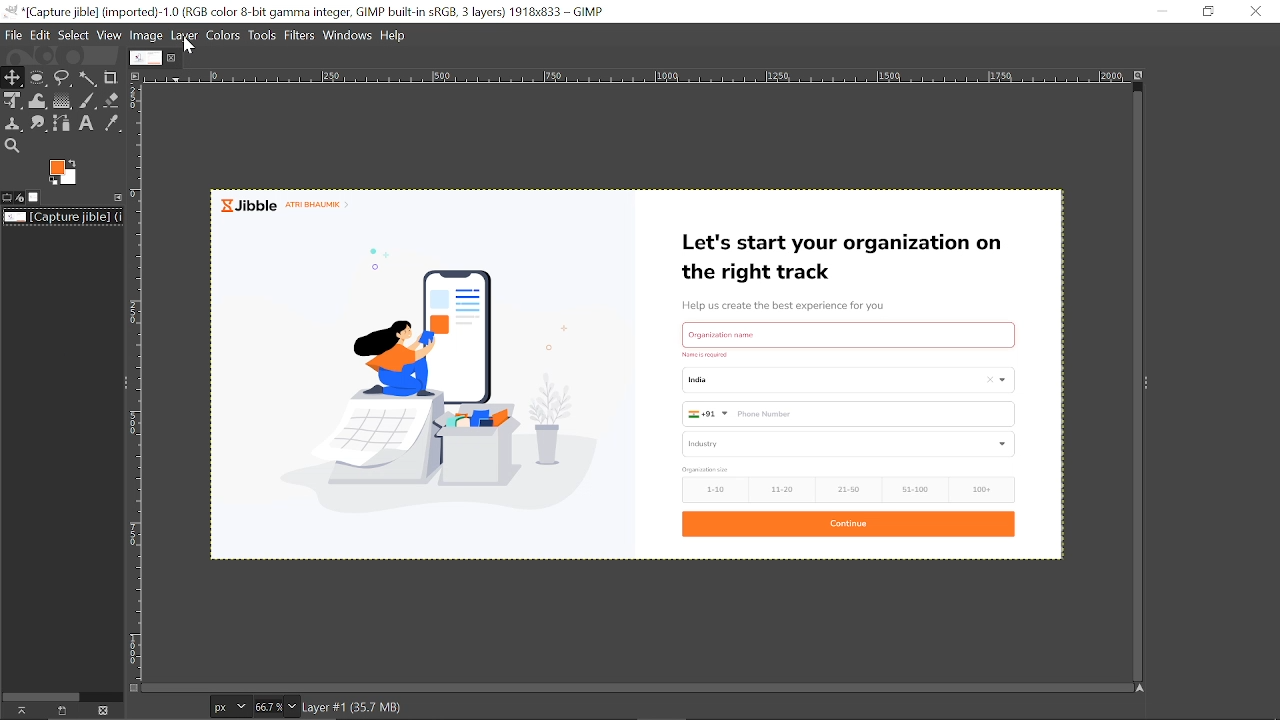 Image resolution: width=1280 pixels, height=720 pixels. I want to click on Image, so click(147, 35).